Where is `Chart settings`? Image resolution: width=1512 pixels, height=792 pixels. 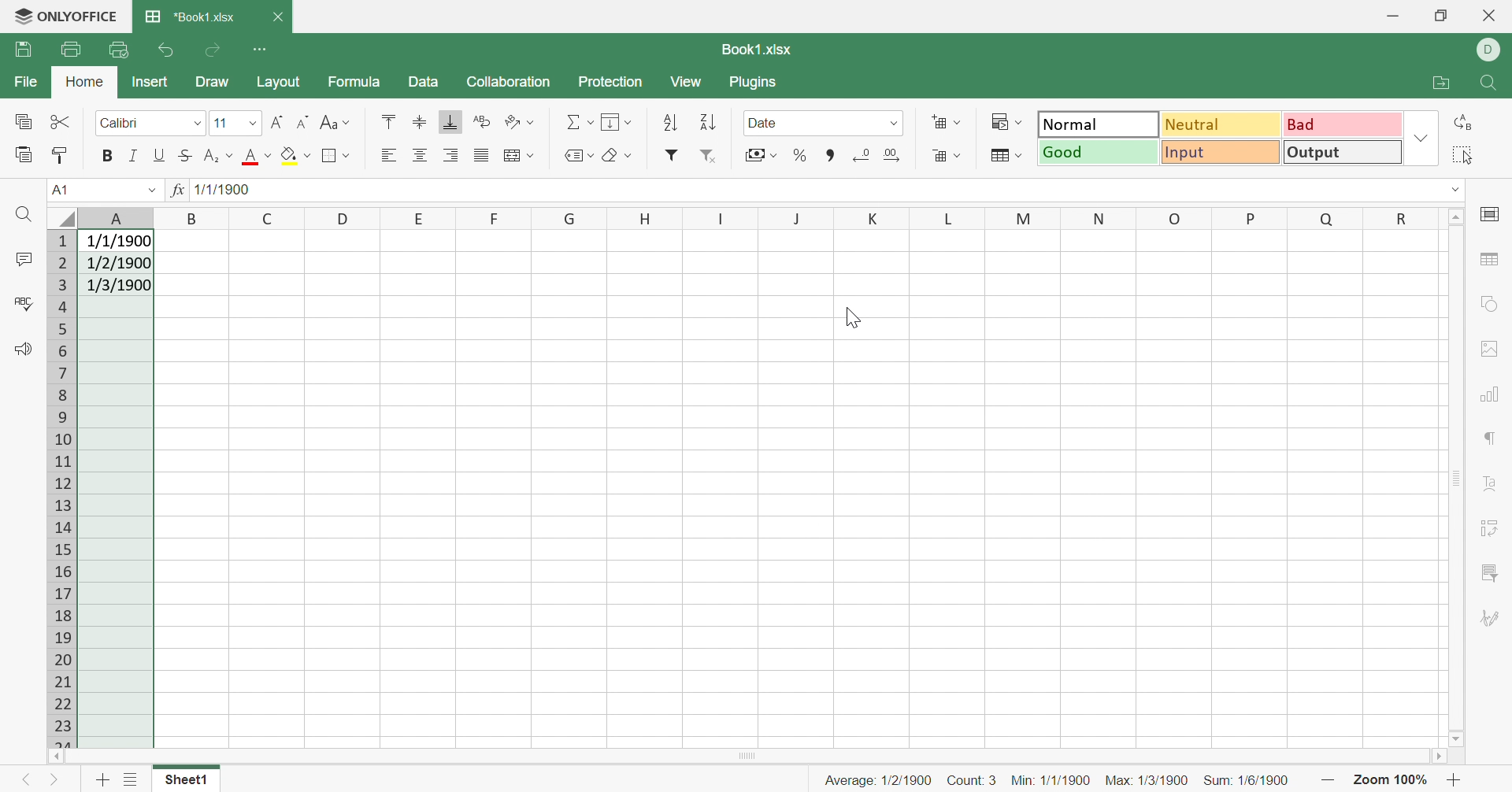 Chart settings is located at coordinates (1495, 395).